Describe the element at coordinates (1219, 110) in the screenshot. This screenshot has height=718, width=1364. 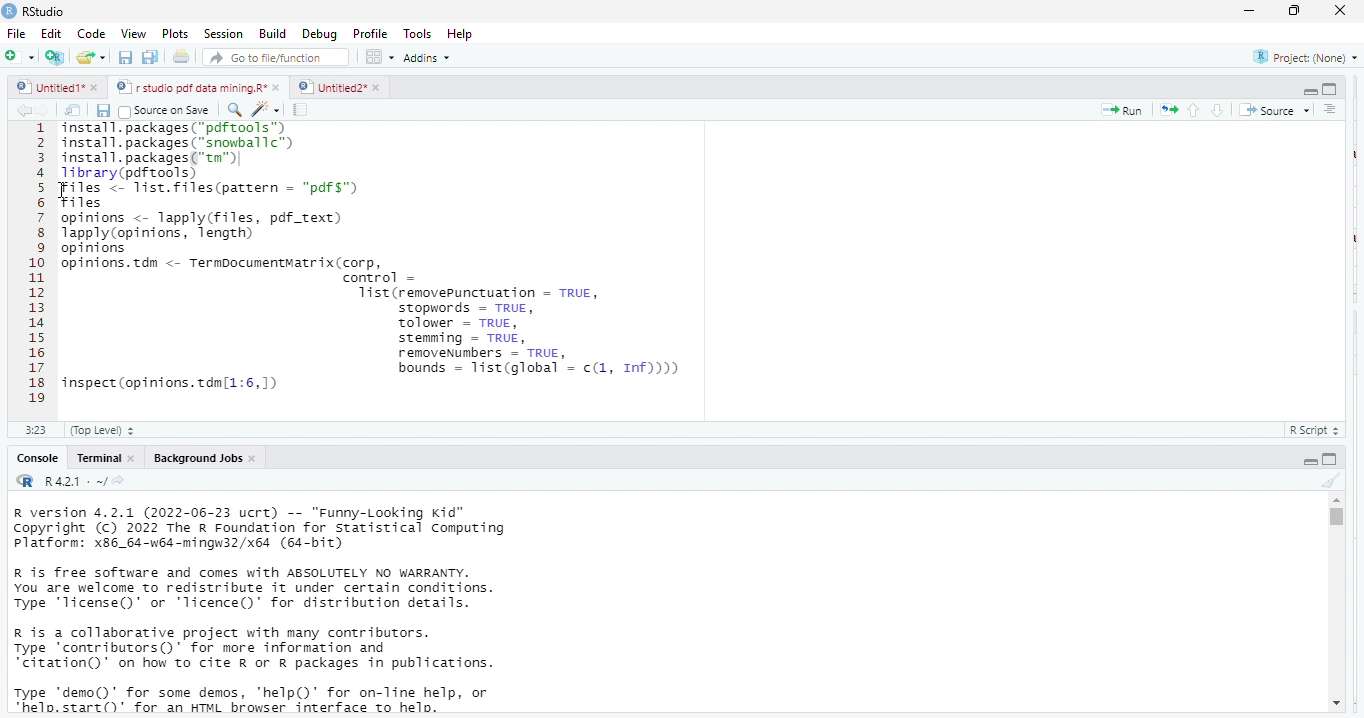
I see `go to next section/chunk` at that location.